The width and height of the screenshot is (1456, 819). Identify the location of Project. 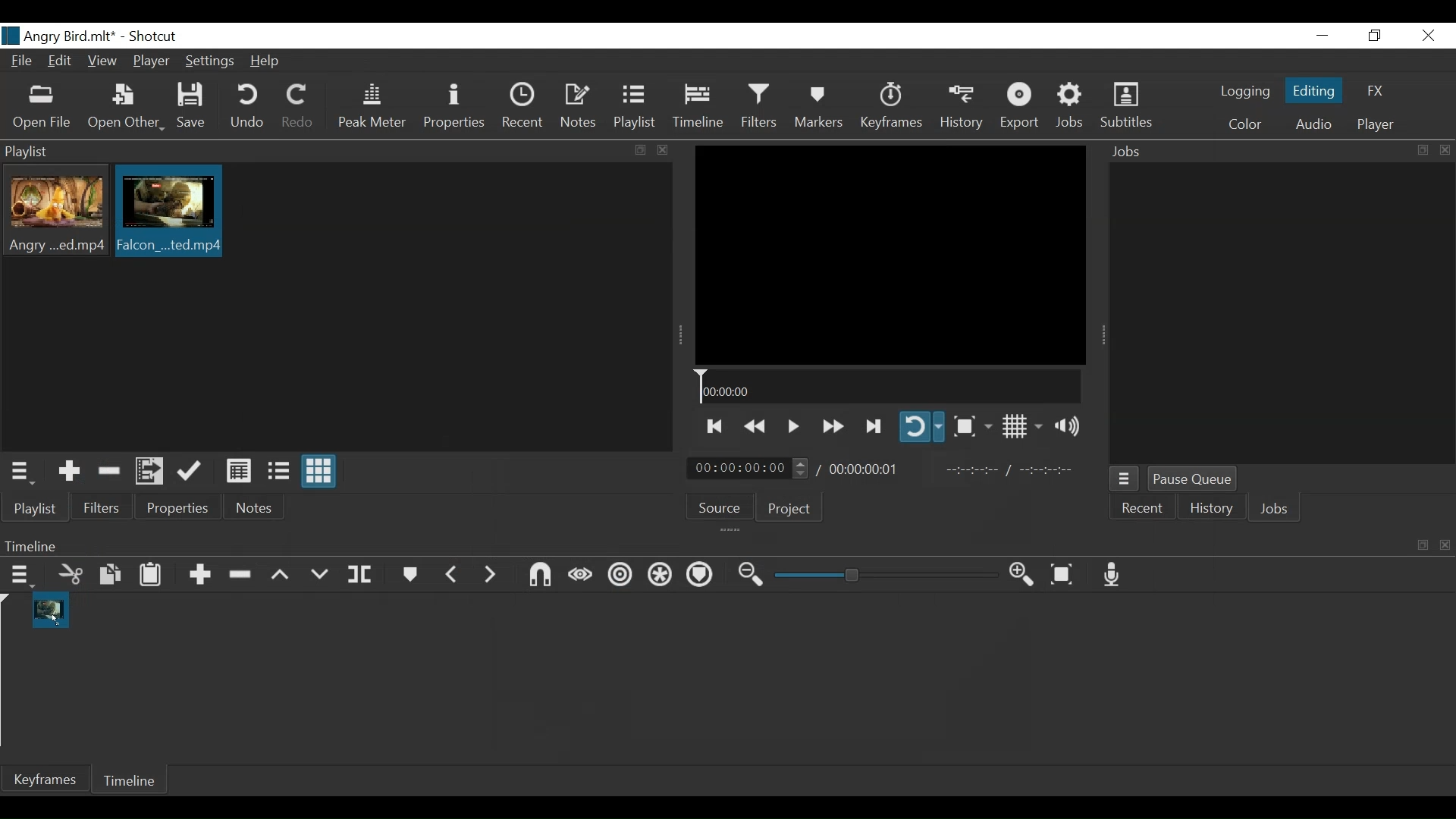
(789, 508).